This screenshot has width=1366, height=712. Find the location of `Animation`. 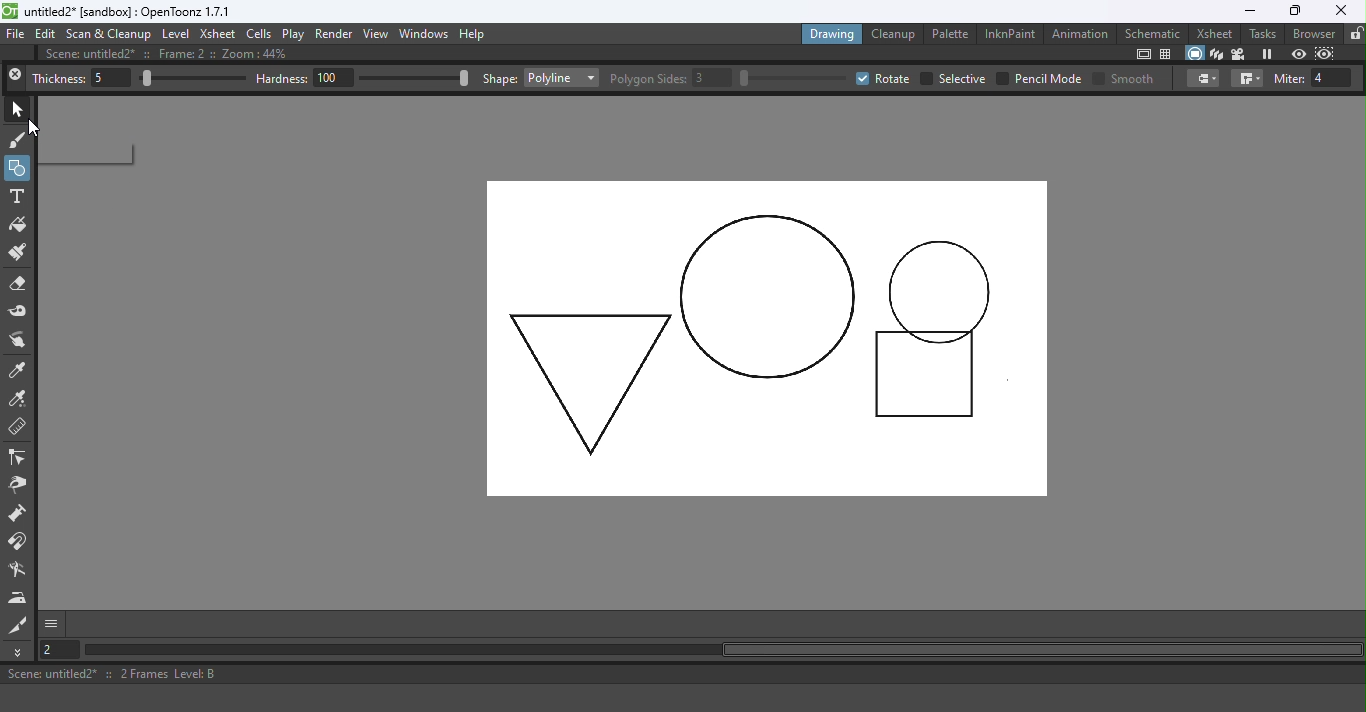

Animation is located at coordinates (1081, 33).